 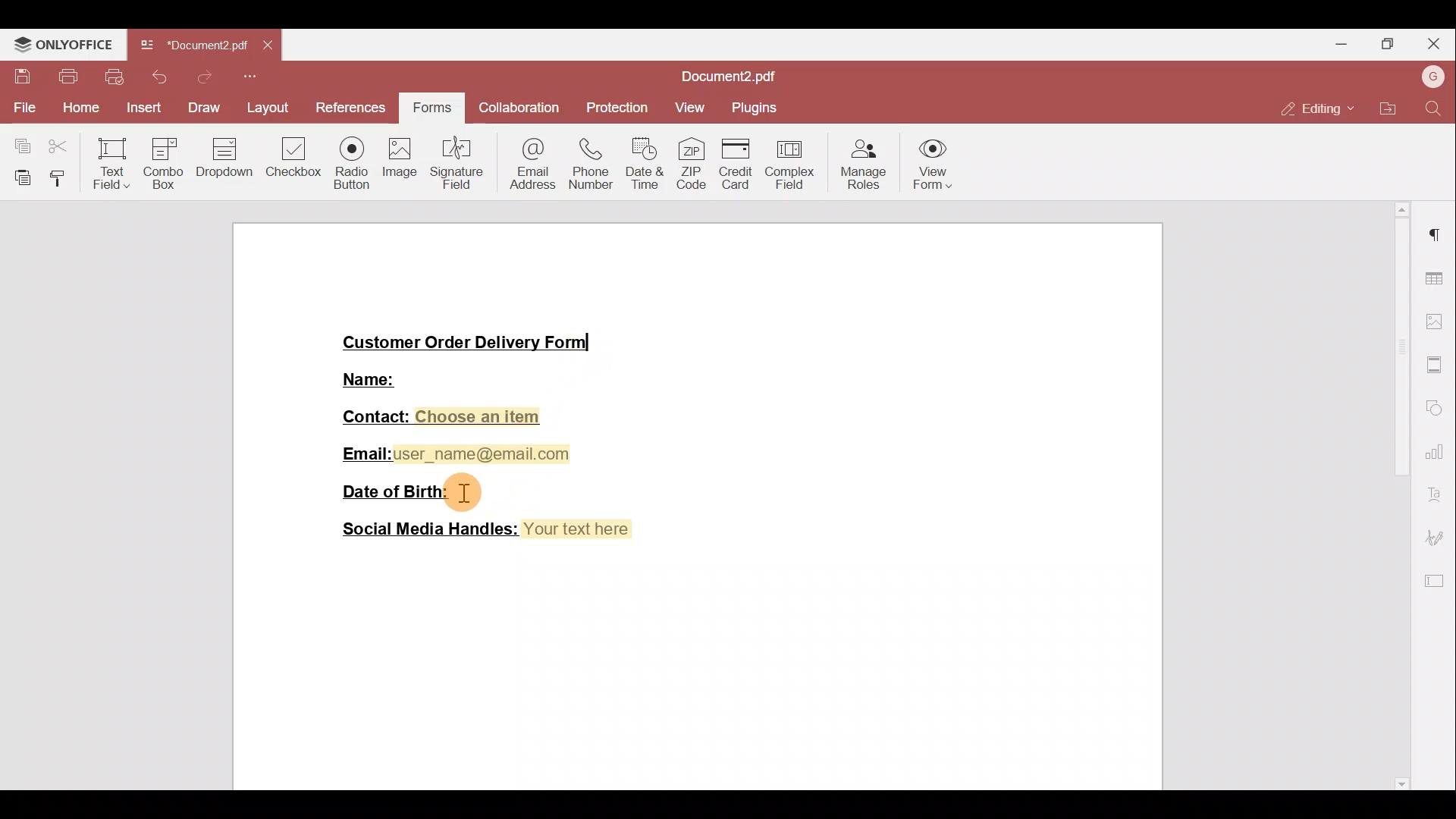 I want to click on References, so click(x=354, y=108).